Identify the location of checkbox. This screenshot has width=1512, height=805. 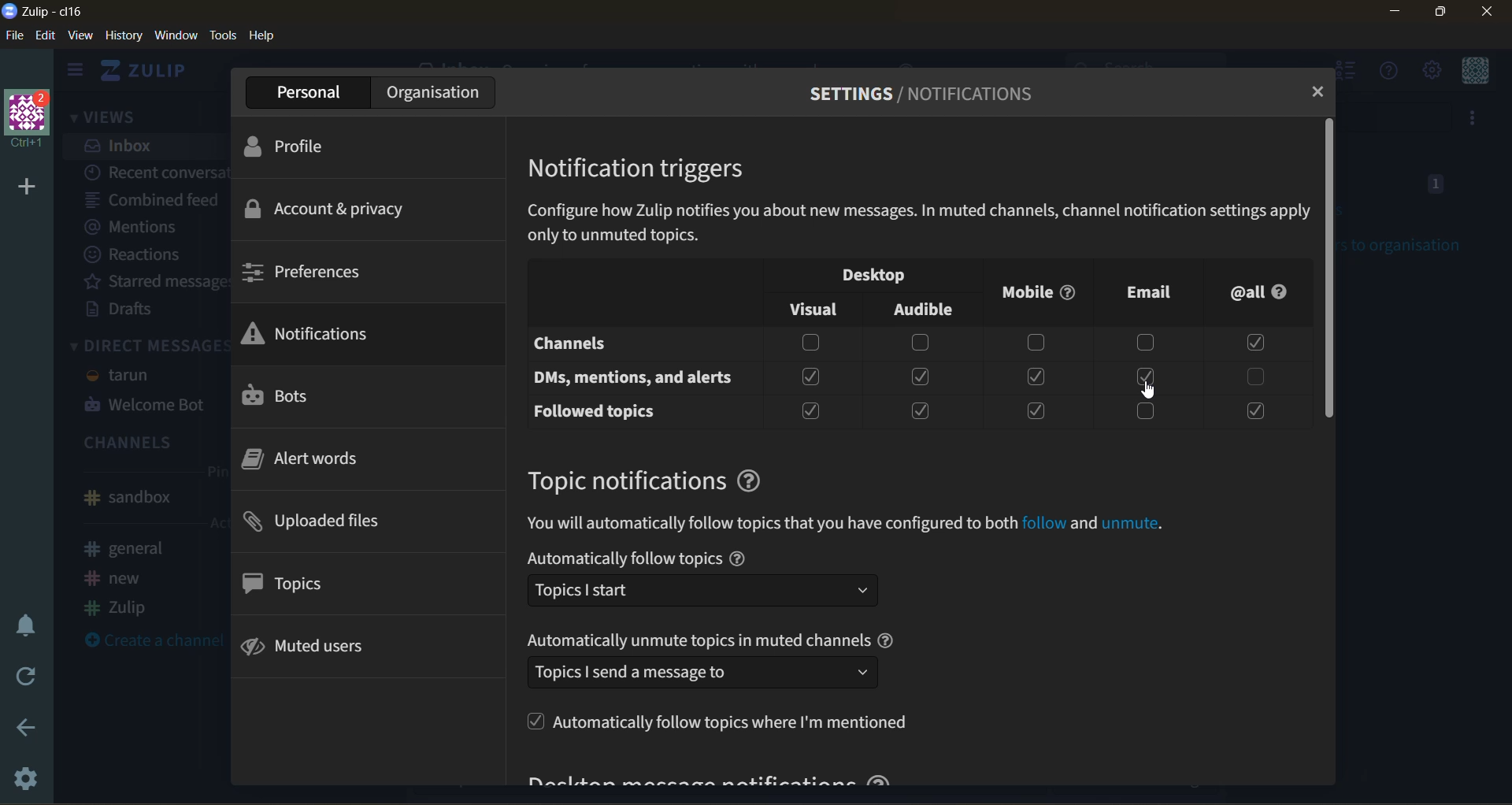
(917, 377).